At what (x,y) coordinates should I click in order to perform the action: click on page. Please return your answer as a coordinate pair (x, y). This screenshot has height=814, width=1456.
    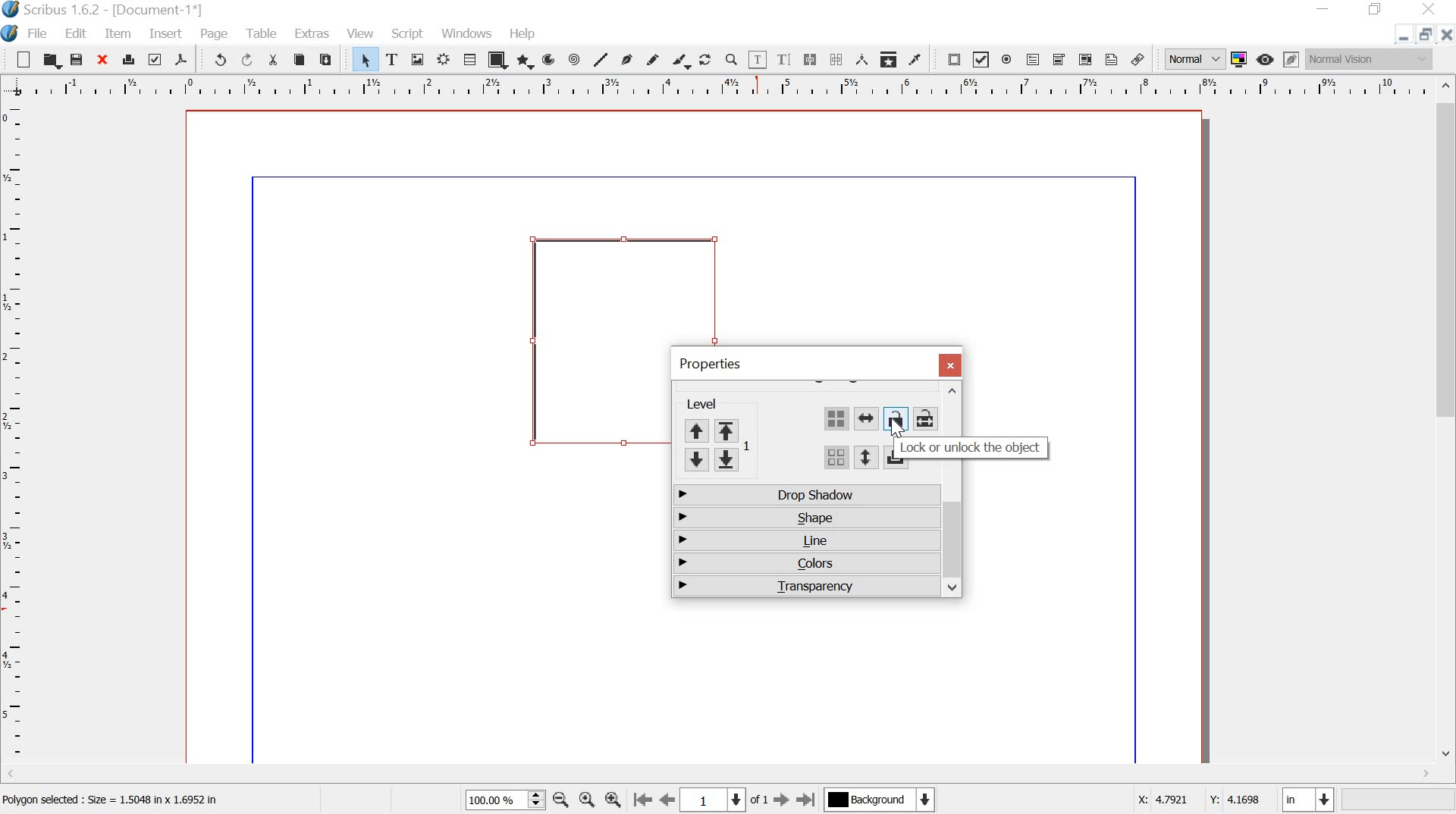
    Looking at the image, I should click on (215, 33).